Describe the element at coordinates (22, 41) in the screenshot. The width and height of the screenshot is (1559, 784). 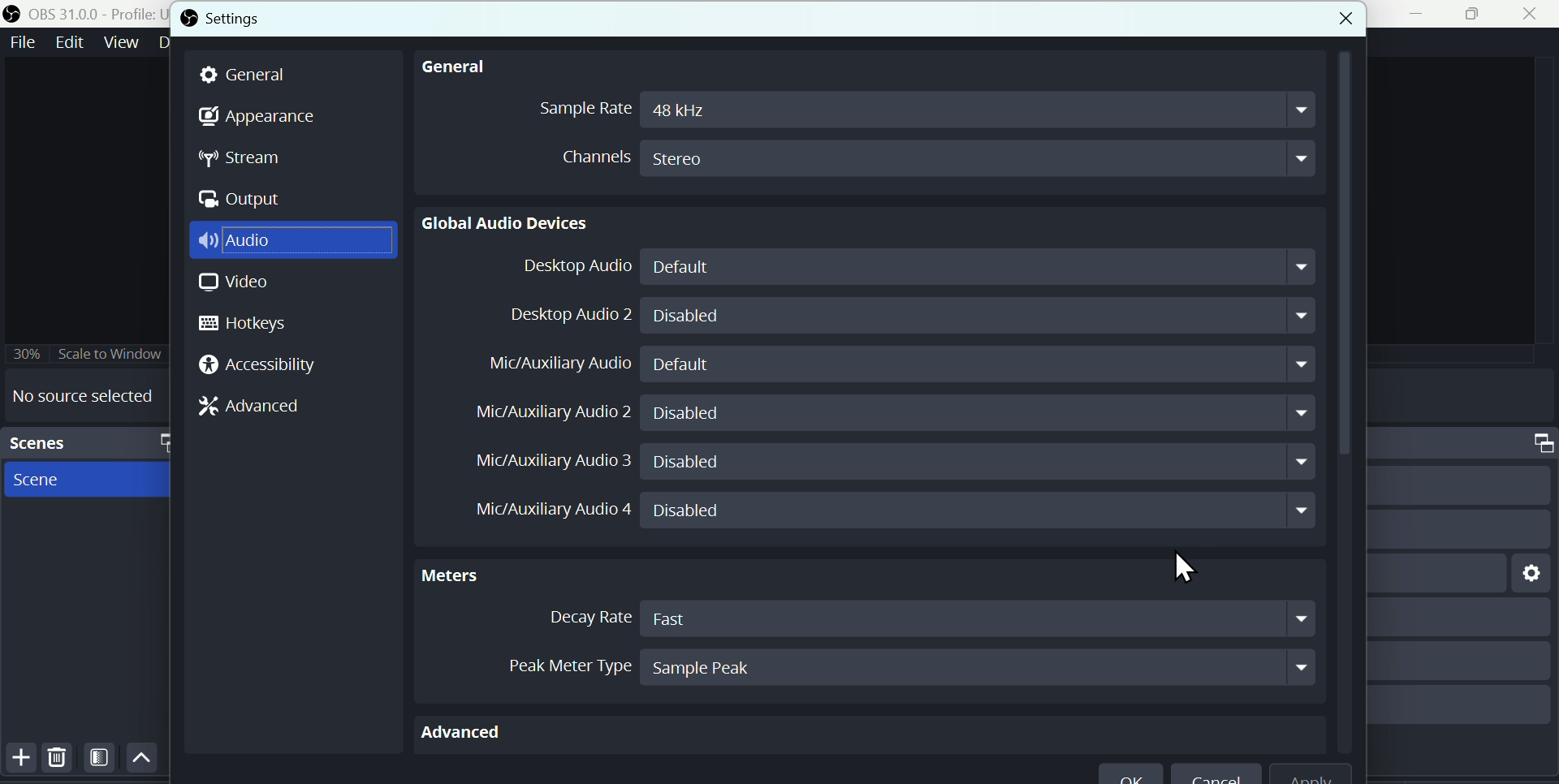
I see `File` at that location.